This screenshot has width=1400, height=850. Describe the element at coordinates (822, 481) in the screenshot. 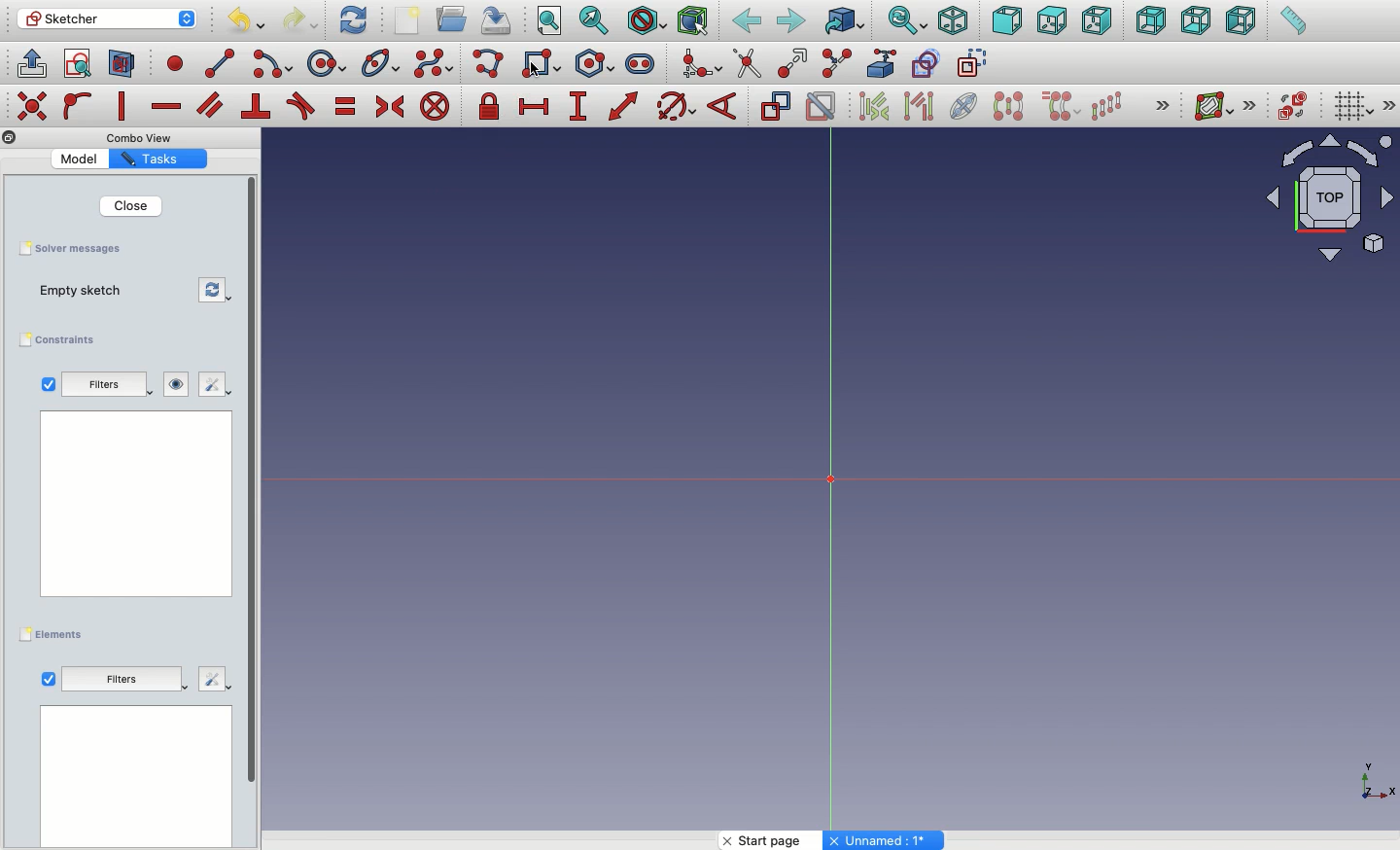

I see `Axis` at that location.